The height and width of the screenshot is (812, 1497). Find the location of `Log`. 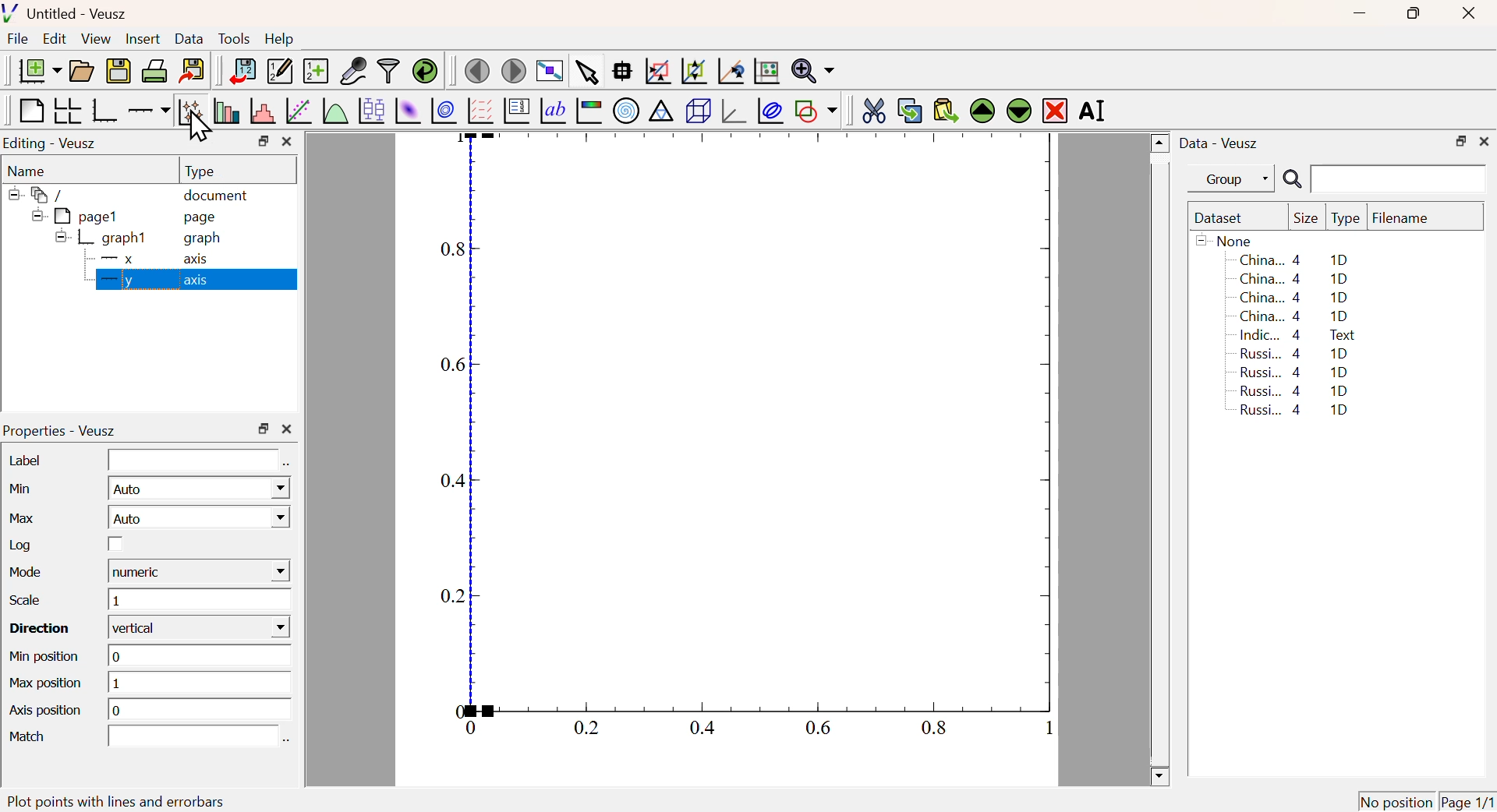

Log is located at coordinates (23, 545).